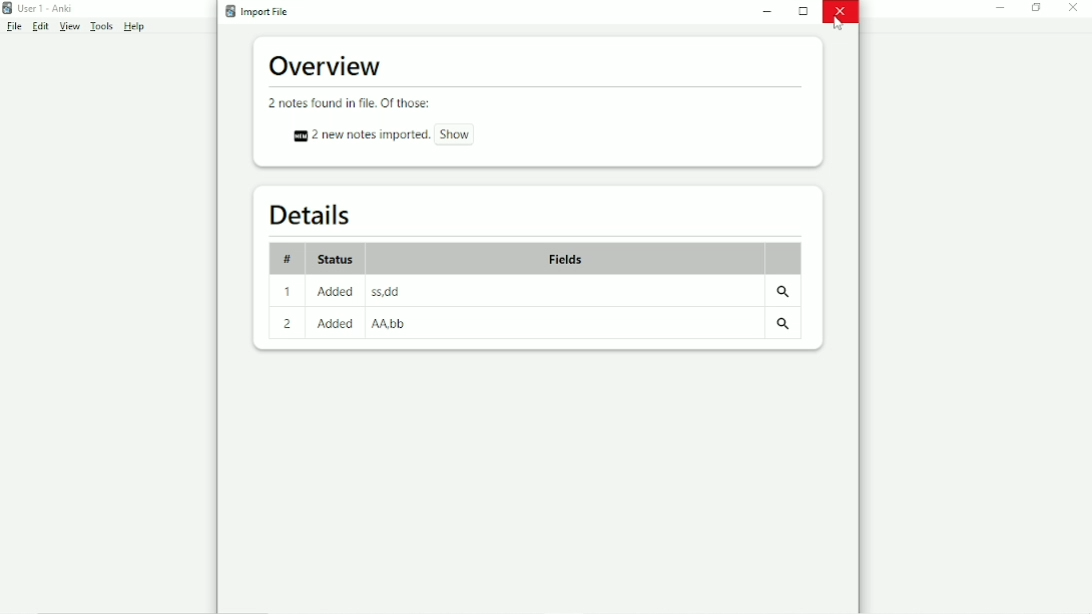  Describe the element at coordinates (40, 27) in the screenshot. I see `Edit` at that location.